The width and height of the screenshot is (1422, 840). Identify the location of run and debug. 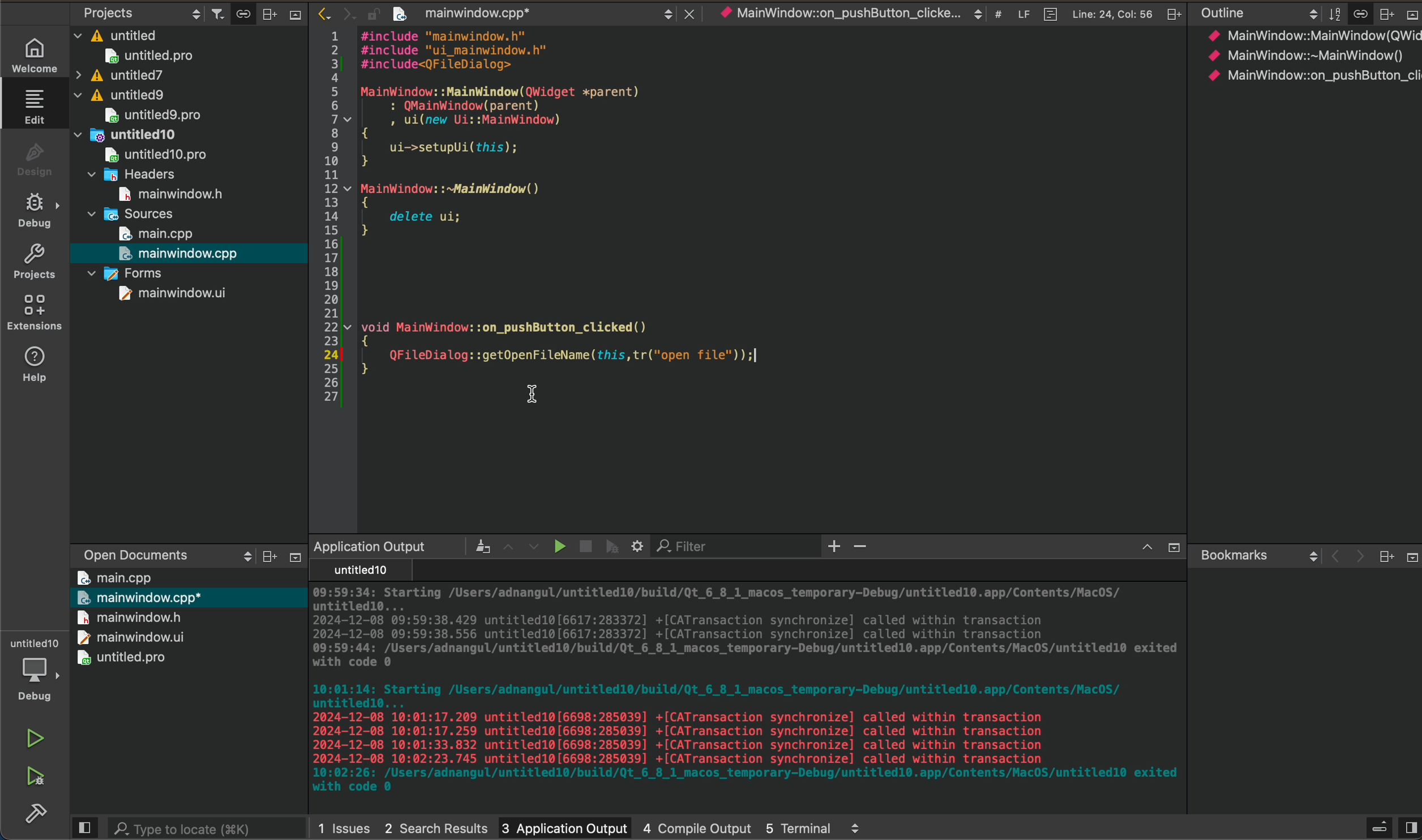
(34, 781).